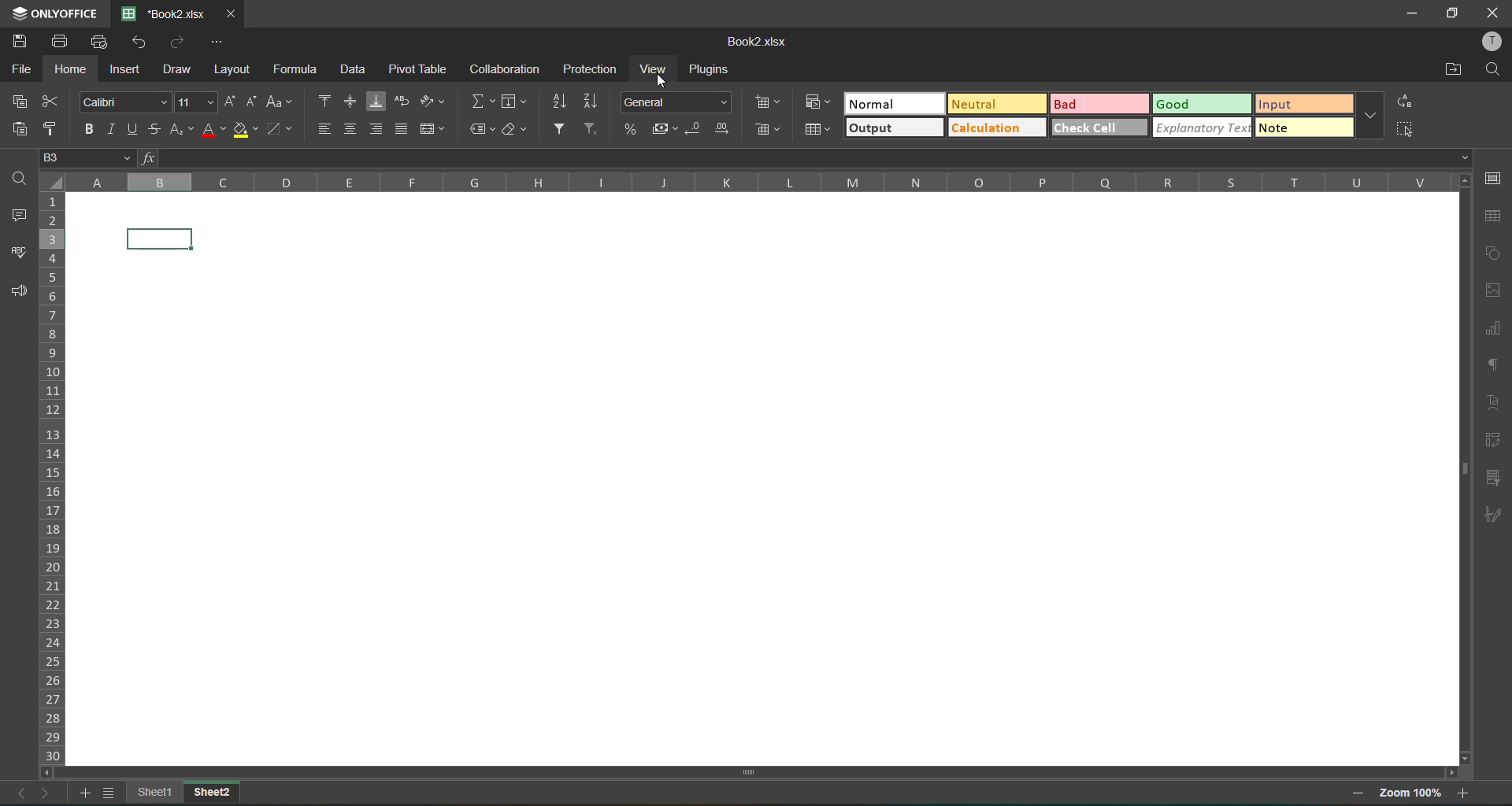  What do you see at coordinates (1097, 104) in the screenshot?
I see `bad` at bounding box center [1097, 104].